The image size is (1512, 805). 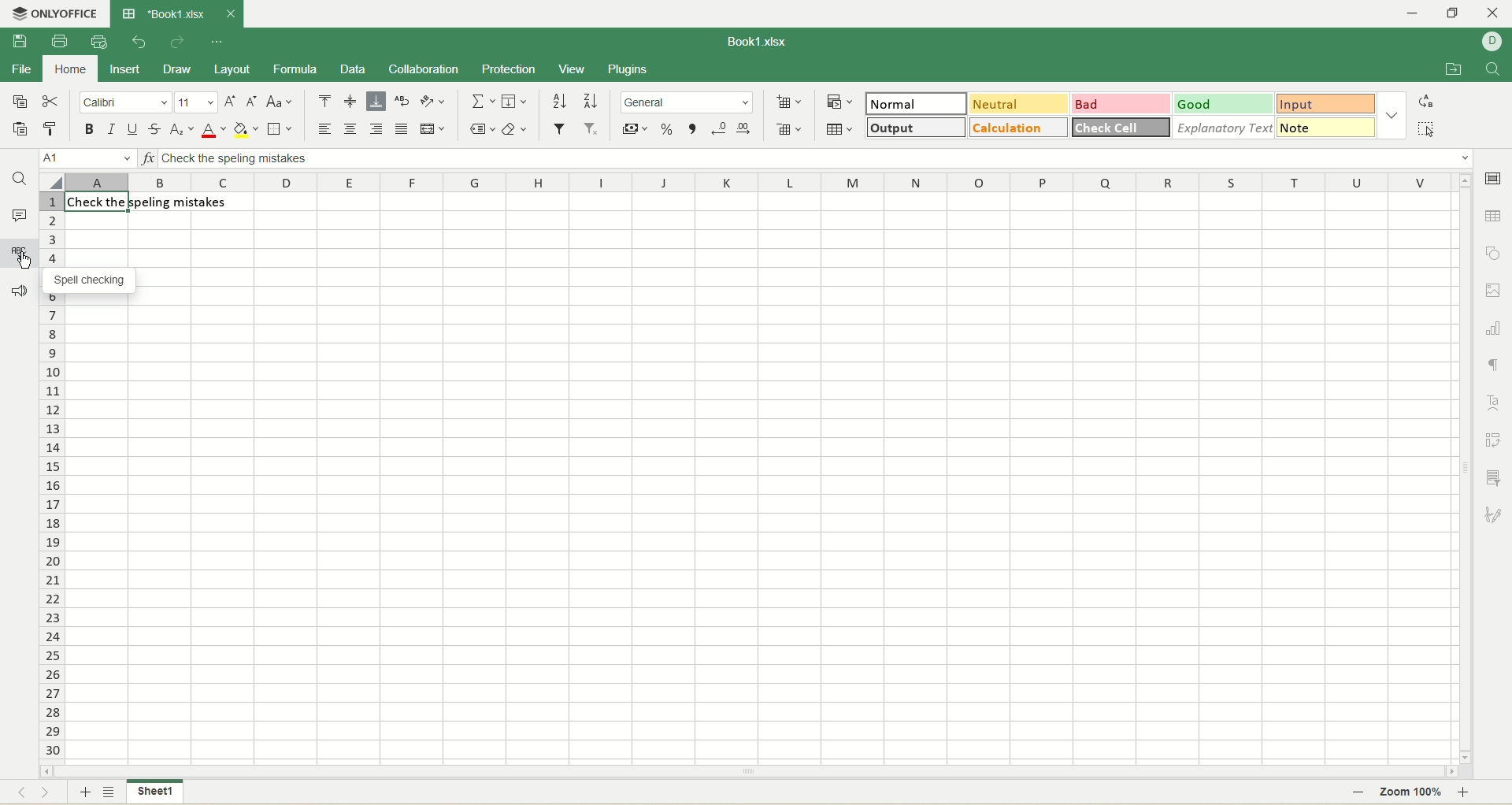 What do you see at coordinates (1495, 213) in the screenshot?
I see `table settings` at bounding box center [1495, 213].